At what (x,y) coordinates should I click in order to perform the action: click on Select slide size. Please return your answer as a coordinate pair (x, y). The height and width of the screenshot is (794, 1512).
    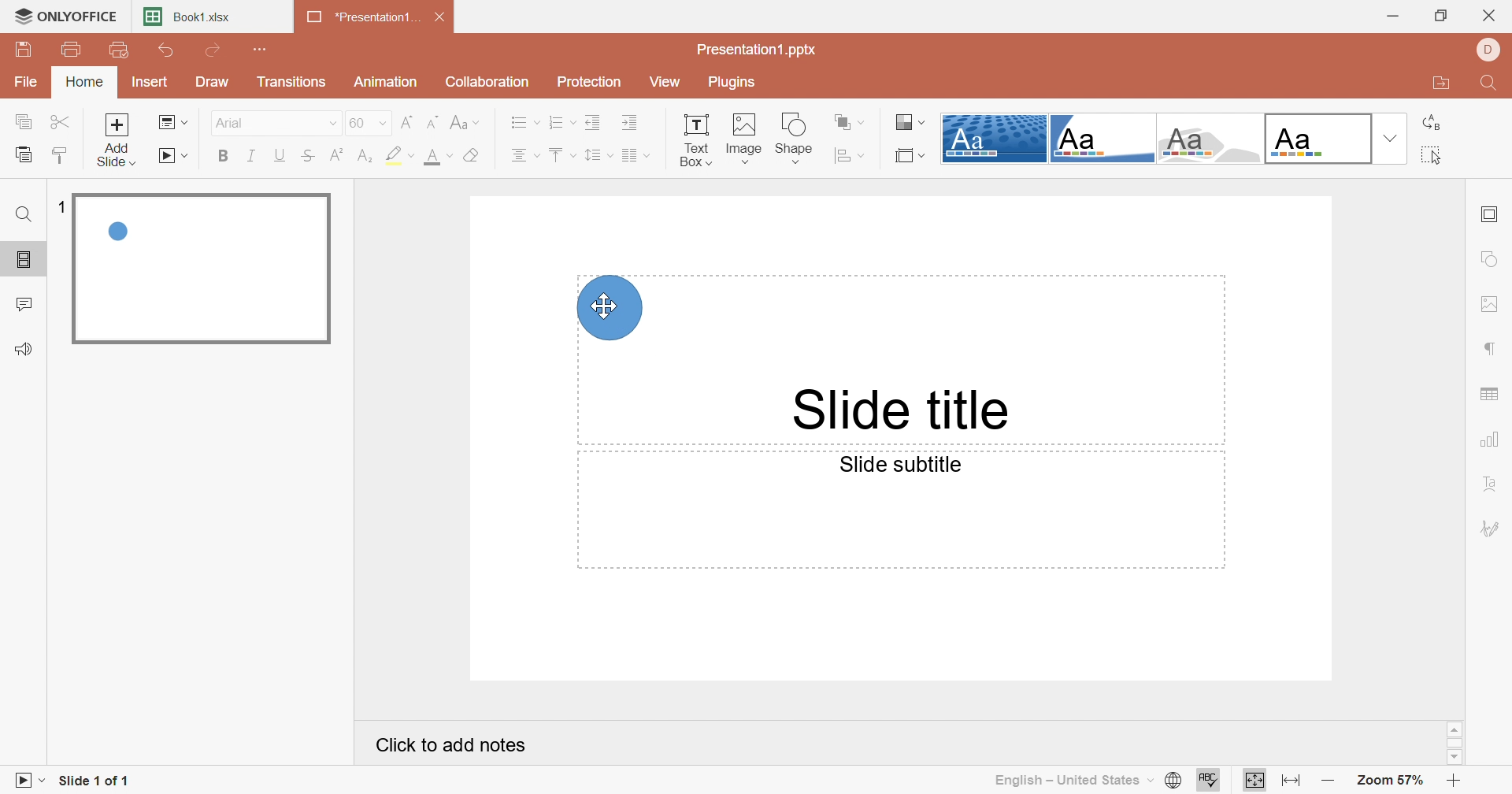
    Looking at the image, I should click on (912, 155).